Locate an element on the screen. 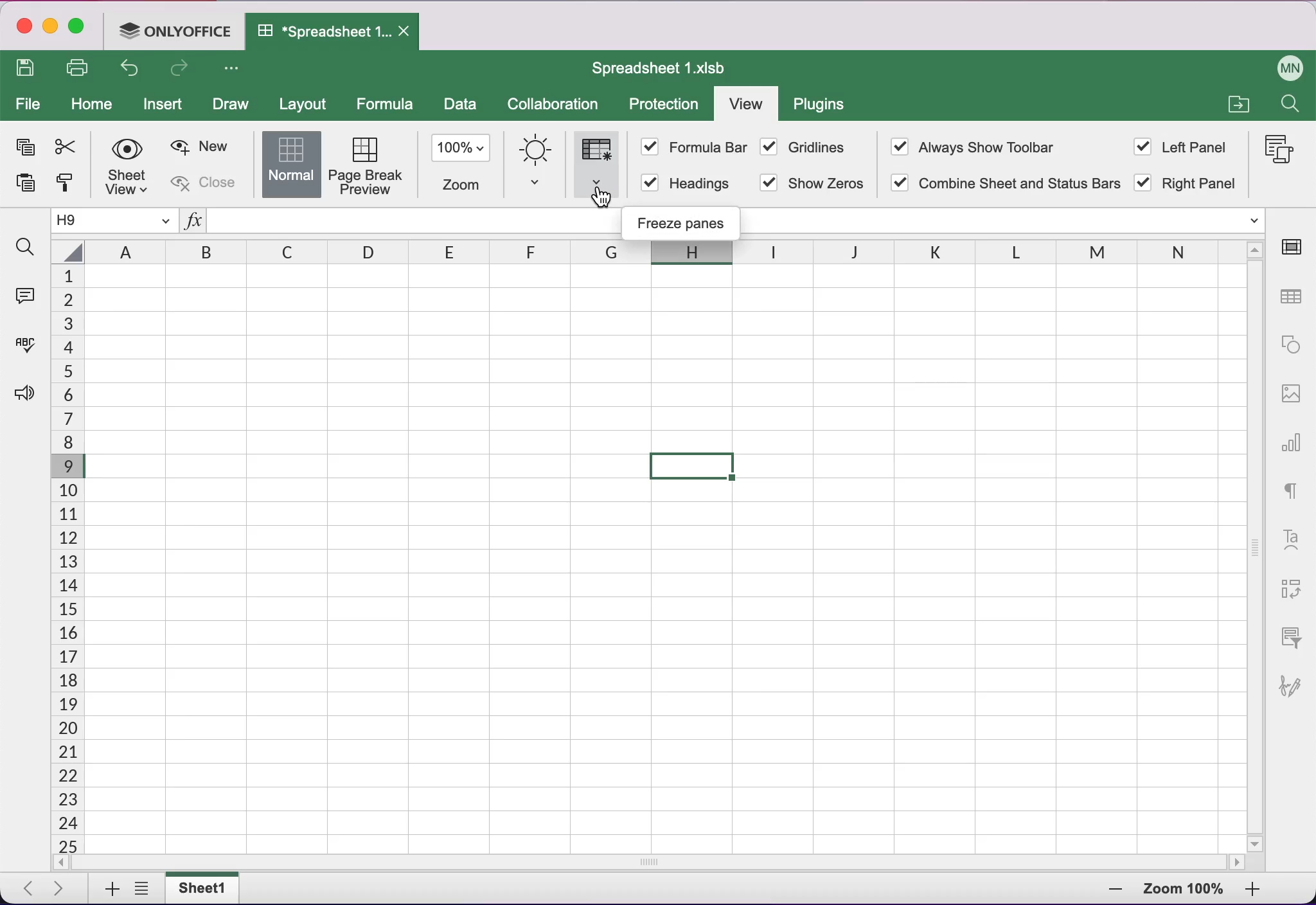 This screenshot has width=1316, height=905. normal is located at coordinates (289, 165).